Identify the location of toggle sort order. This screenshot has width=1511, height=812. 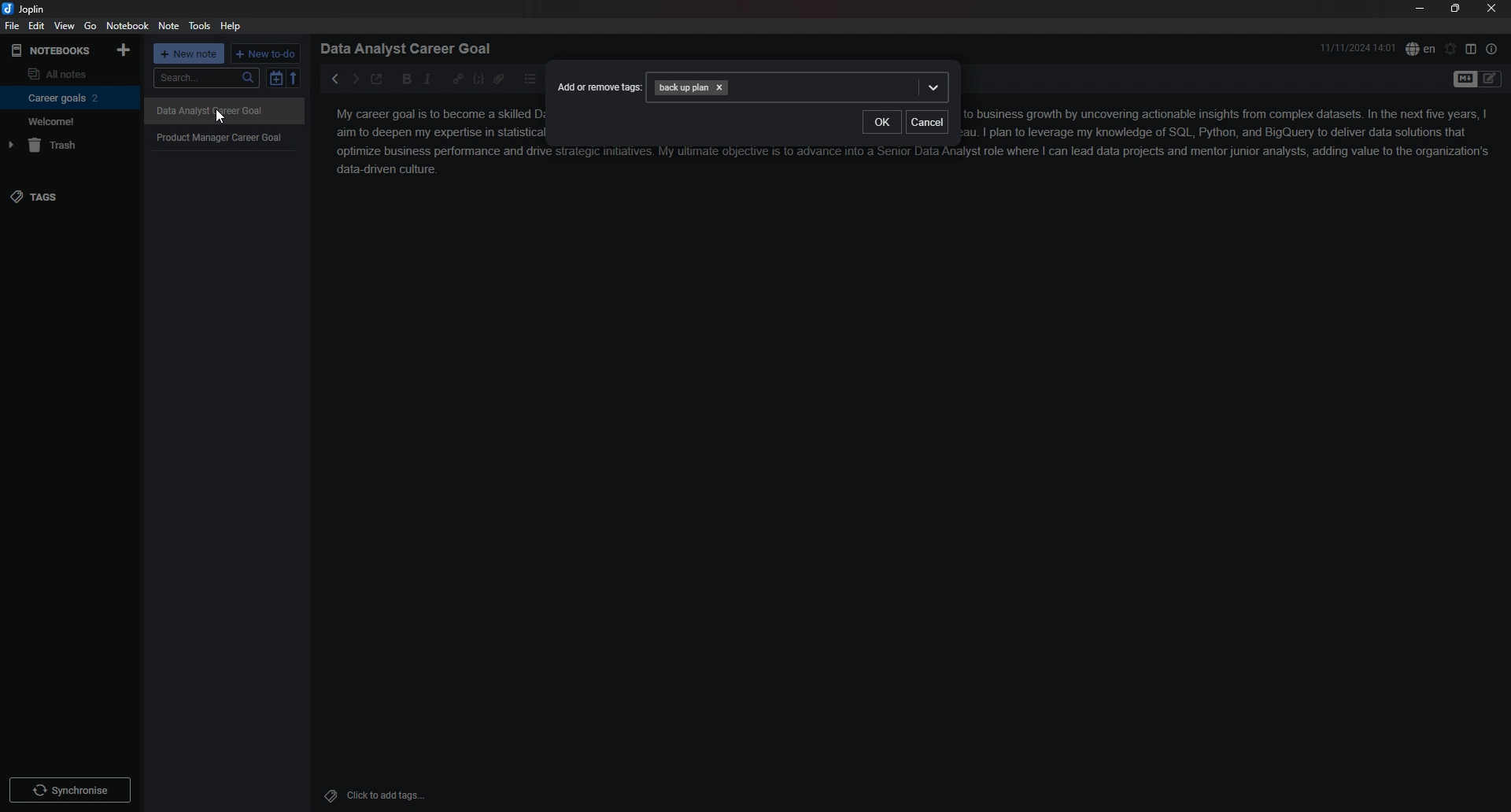
(275, 78).